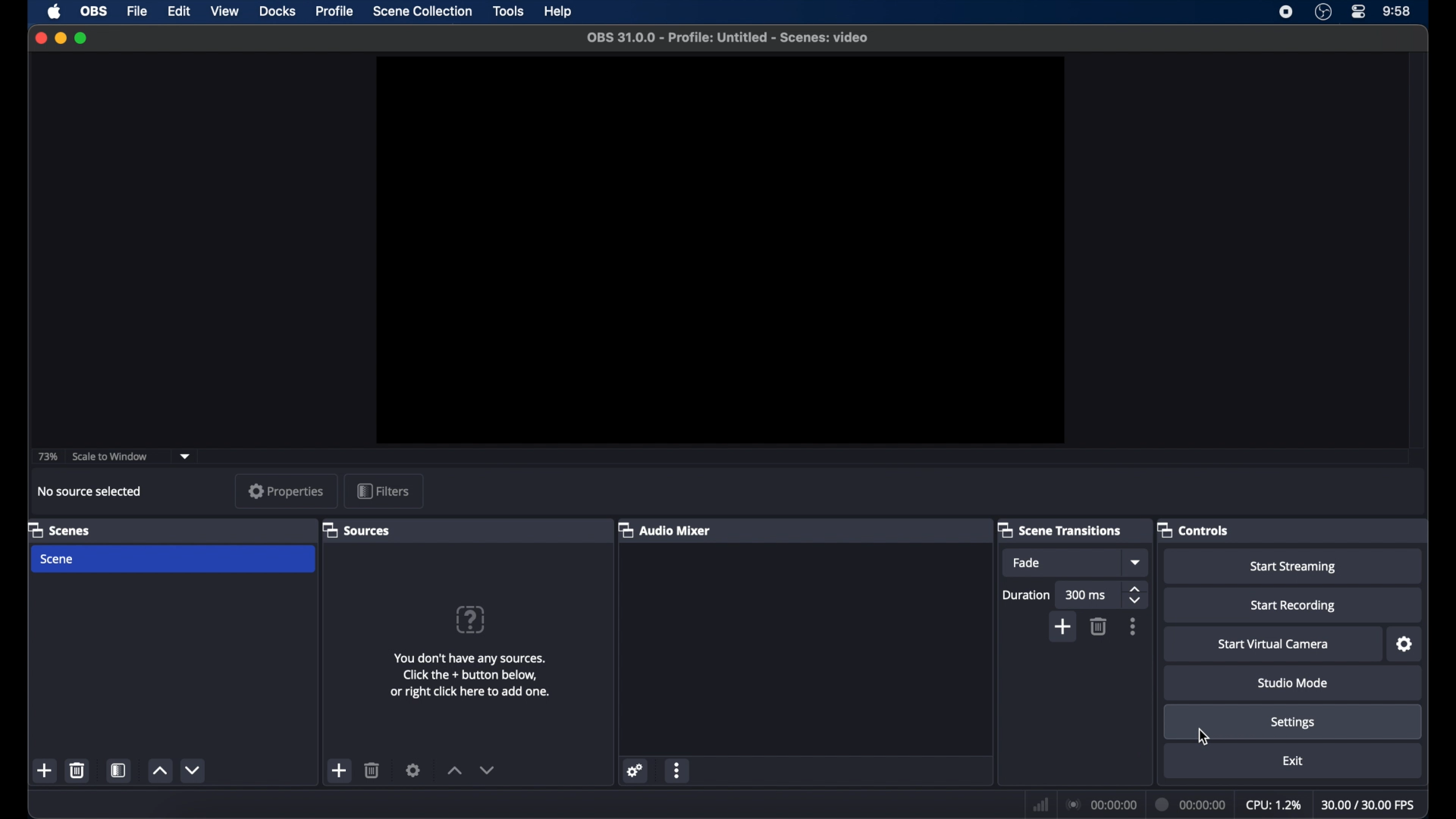  Describe the element at coordinates (413, 770) in the screenshot. I see `settings` at that location.